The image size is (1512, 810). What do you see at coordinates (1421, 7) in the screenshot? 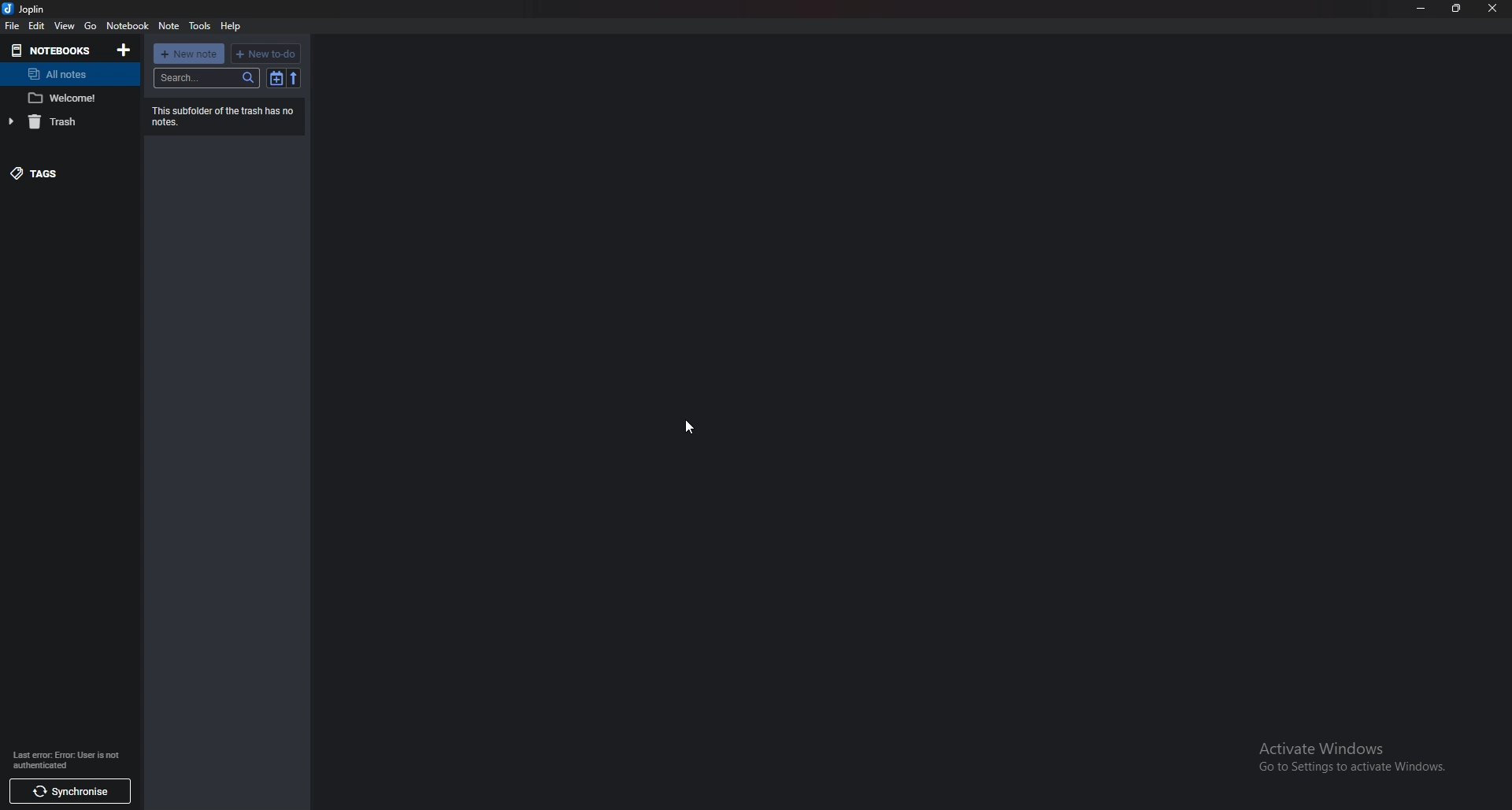
I see `minimize` at bounding box center [1421, 7].